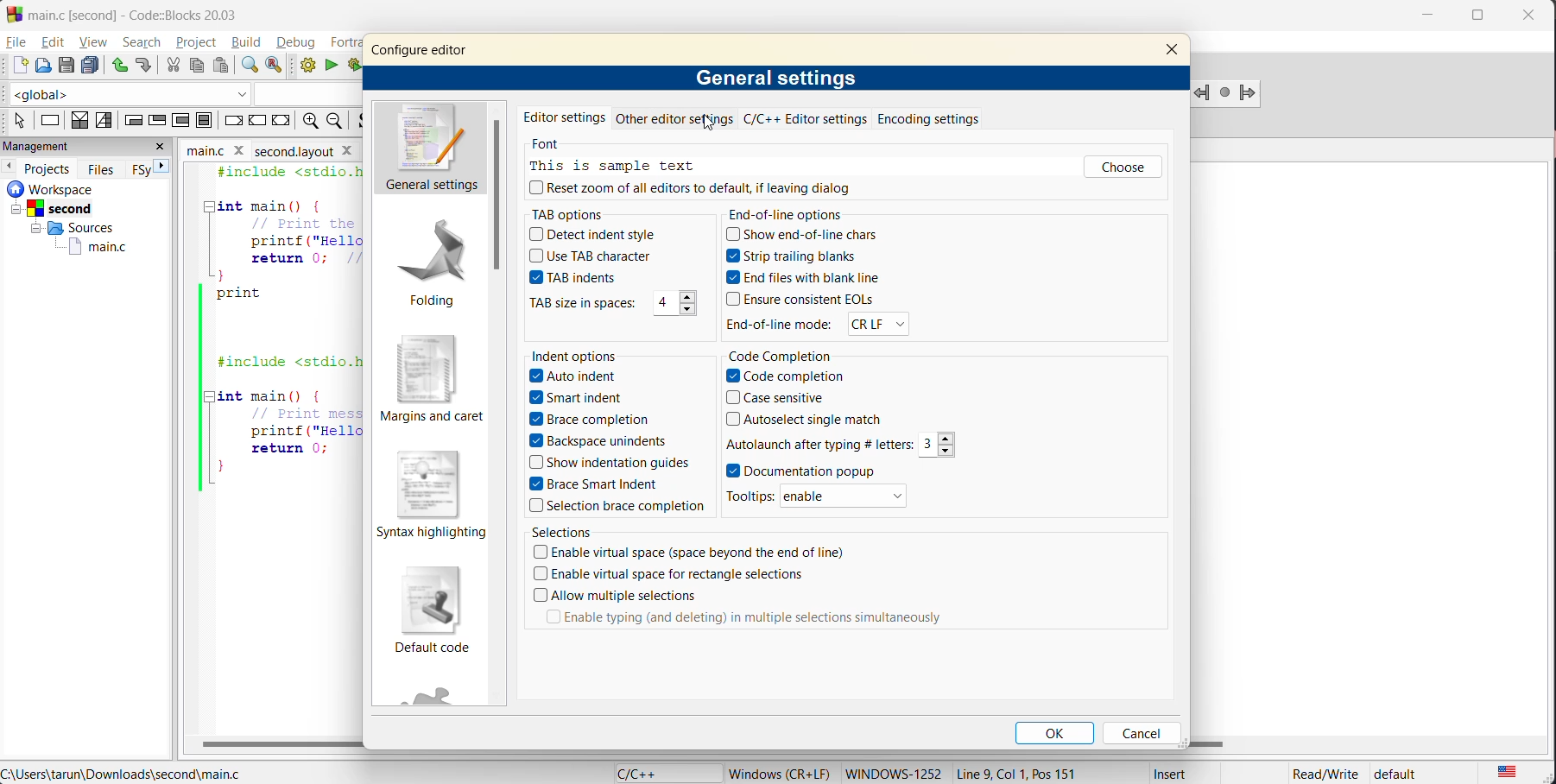 Image resolution: width=1556 pixels, height=784 pixels. I want to click on metadata, so click(780, 770).